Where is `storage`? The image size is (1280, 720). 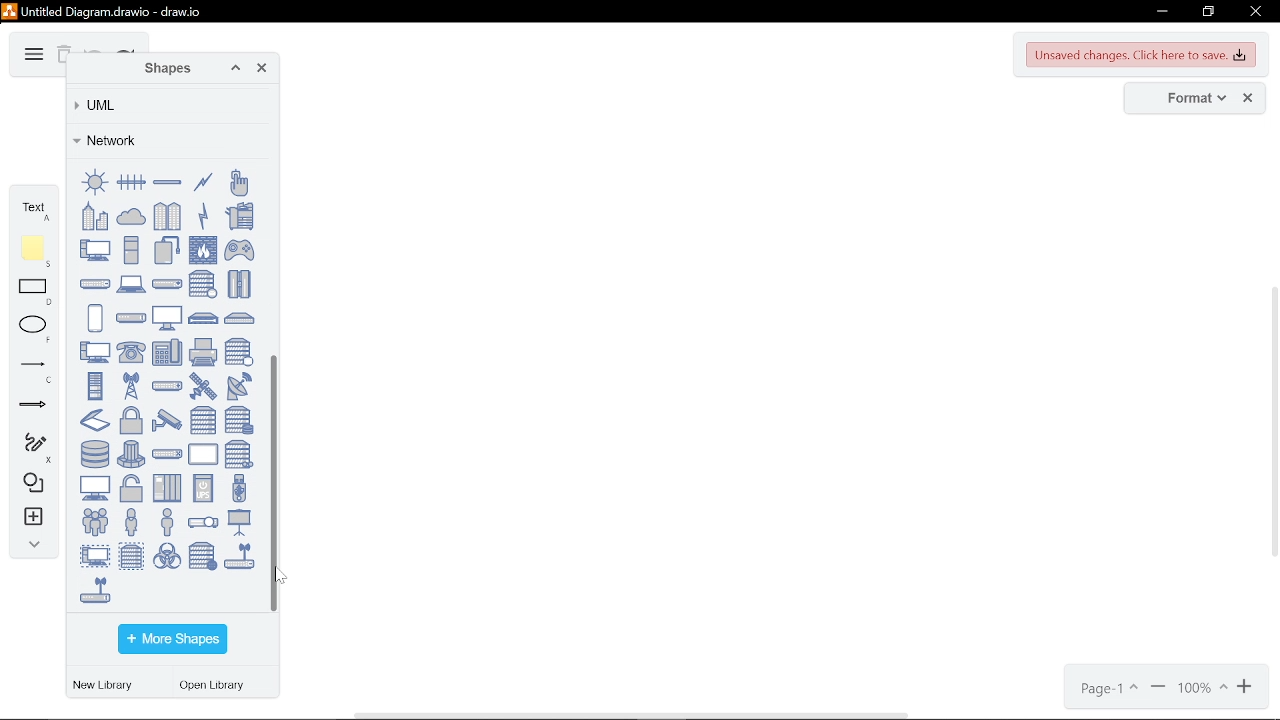
storage is located at coordinates (95, 454).